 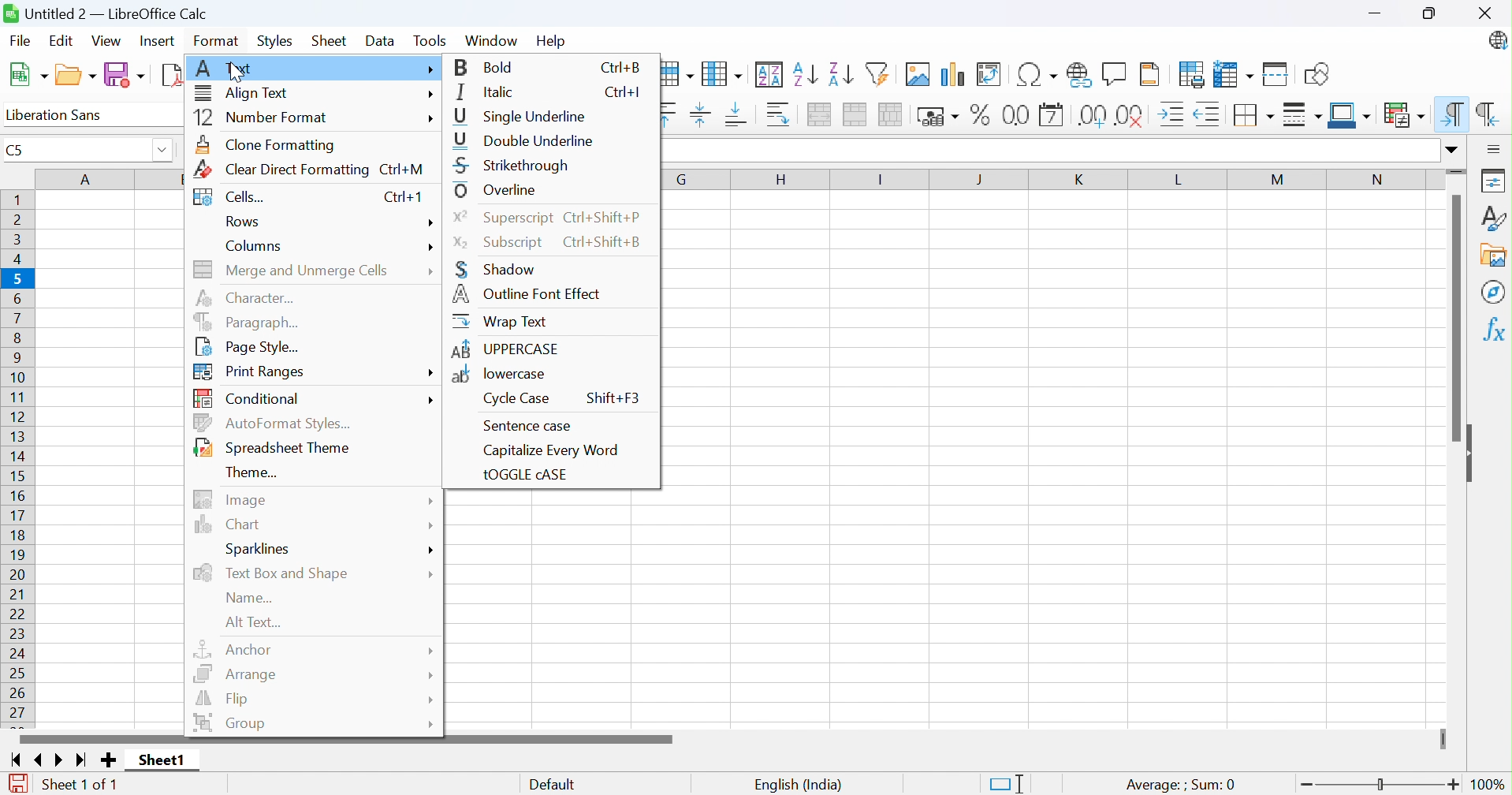 I want to click on Add decimal place, so click(x=1094, y=117).